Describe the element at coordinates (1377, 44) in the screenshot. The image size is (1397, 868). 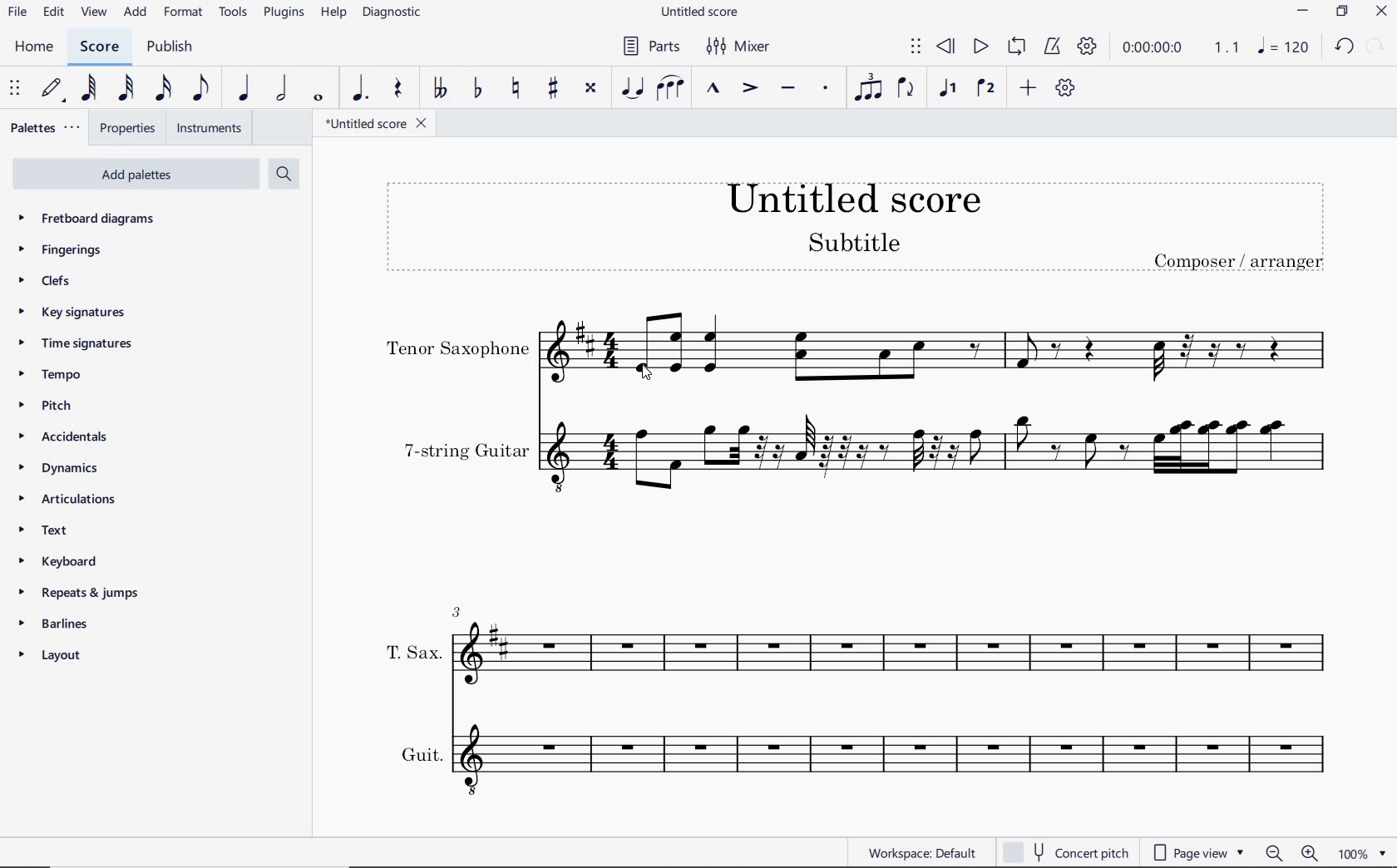
I see `REDO` at that location.